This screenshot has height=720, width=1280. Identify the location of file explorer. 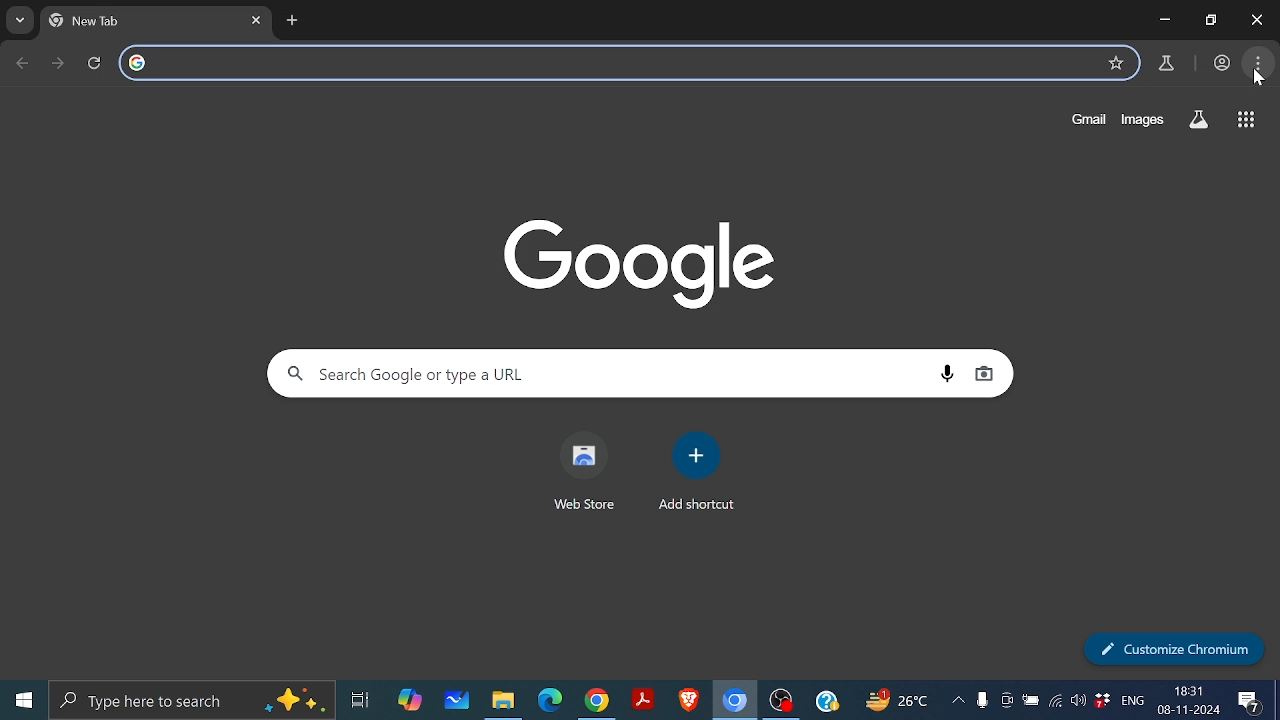
(502, 701).